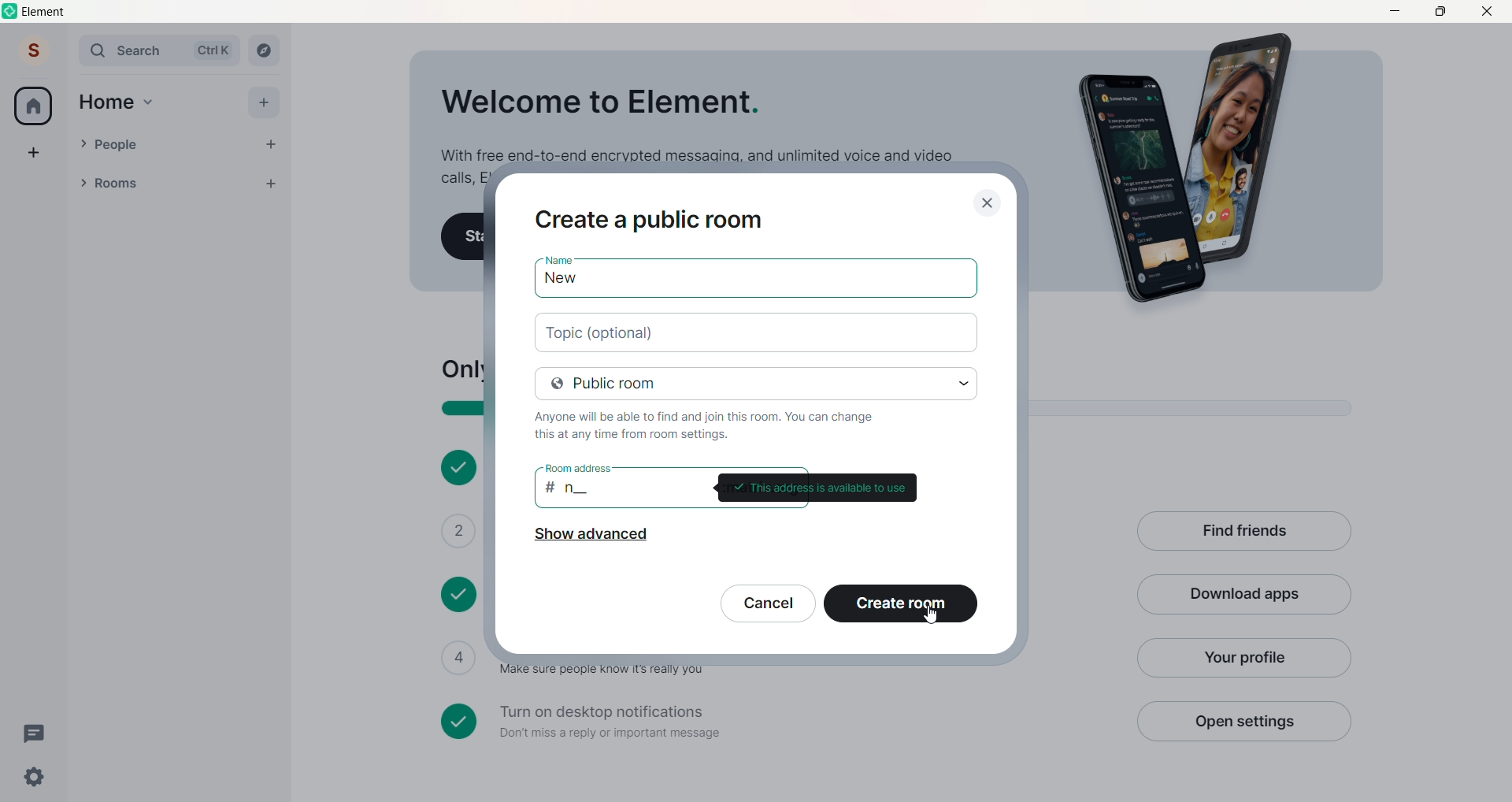  Describe the element at coordinates (276, 181) in the screenshot. I see `Add room` at that location.